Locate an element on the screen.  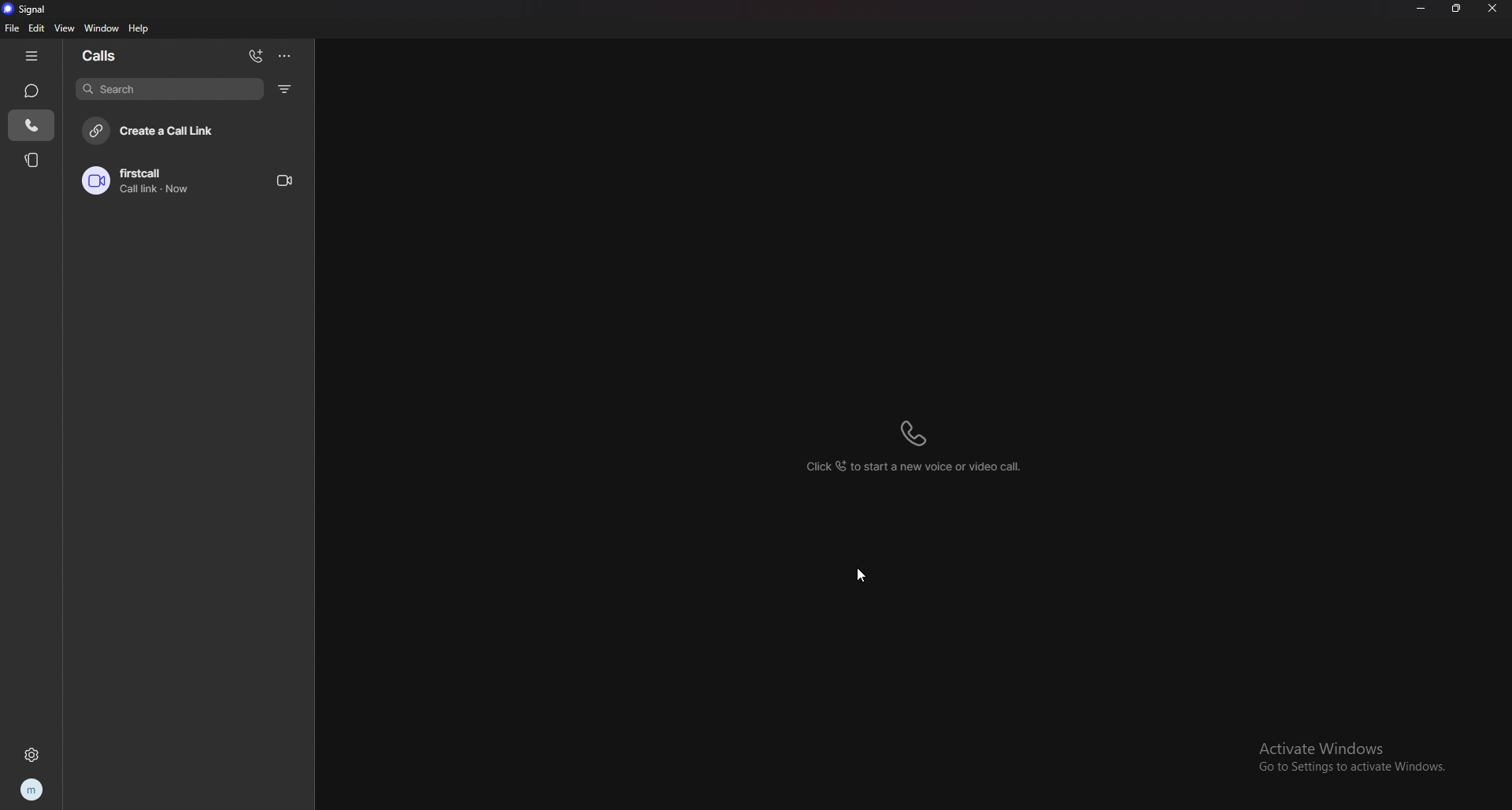
close is located at coordinates (1492, 9).